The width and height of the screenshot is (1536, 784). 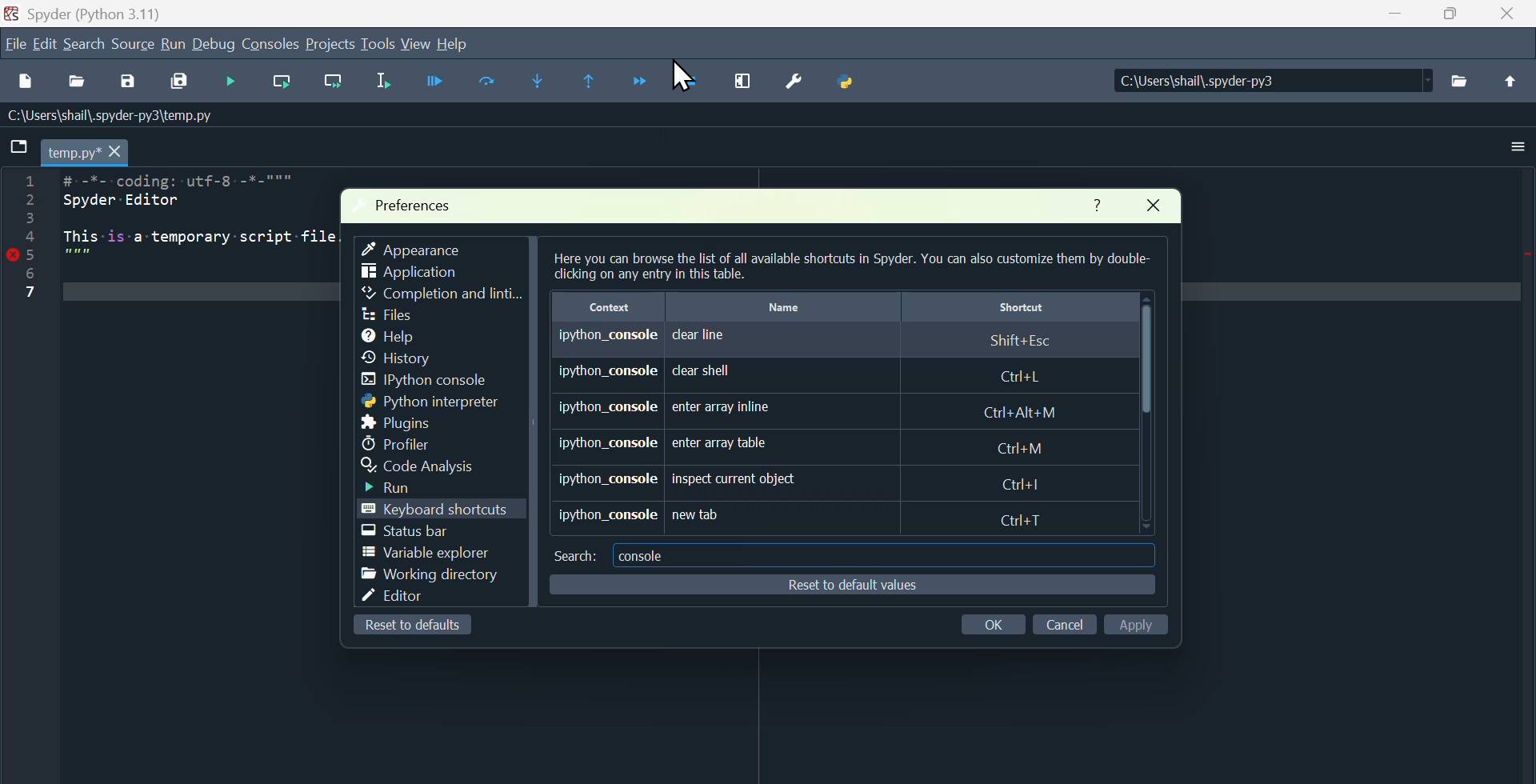 What do you see at coordinates (823, 374) in the screenshot?
I see `Clear shell` at bounding box center [823, 374].